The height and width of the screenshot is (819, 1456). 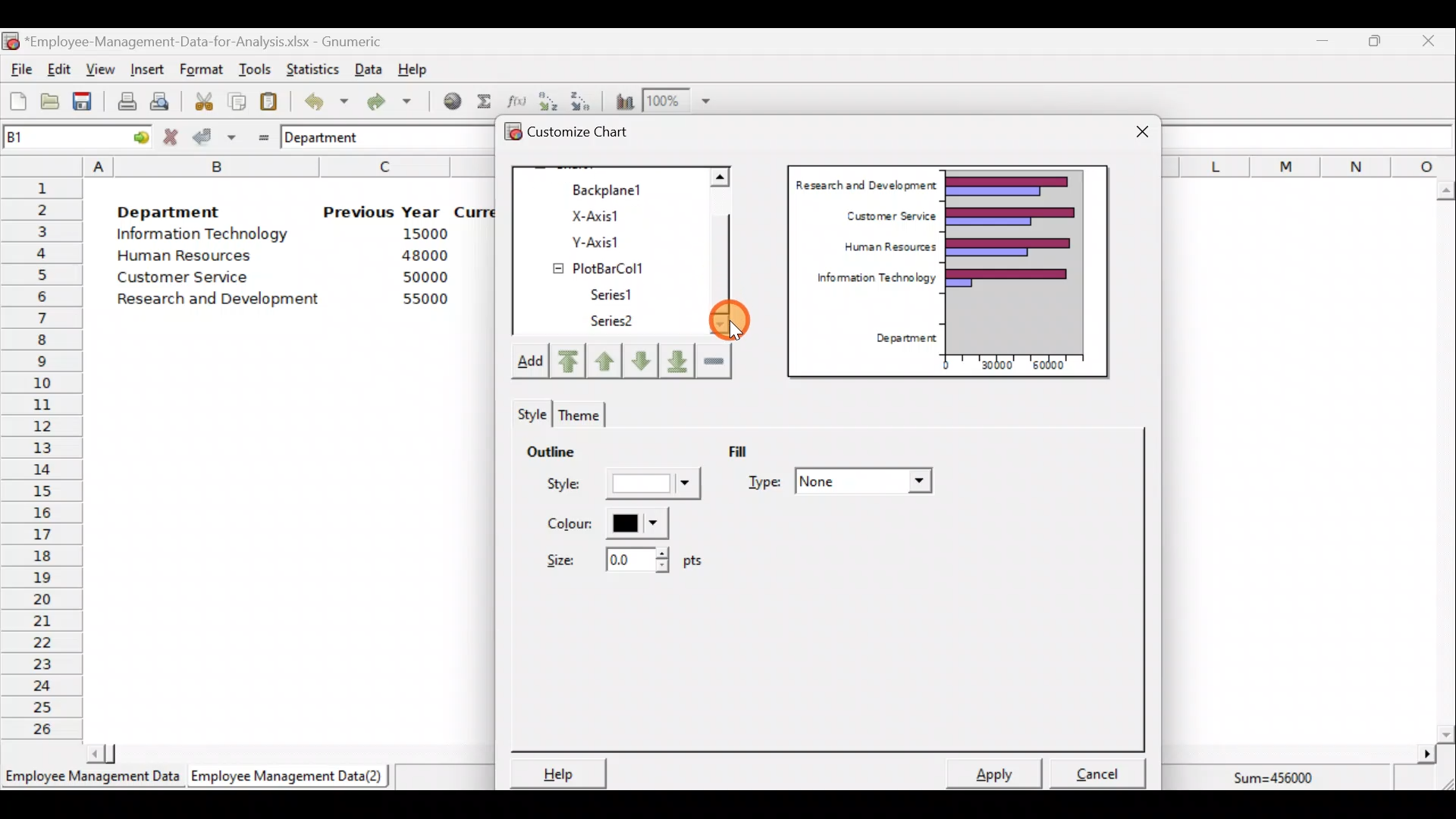 I want to click on Customer Service, so click(x=887, y=214).